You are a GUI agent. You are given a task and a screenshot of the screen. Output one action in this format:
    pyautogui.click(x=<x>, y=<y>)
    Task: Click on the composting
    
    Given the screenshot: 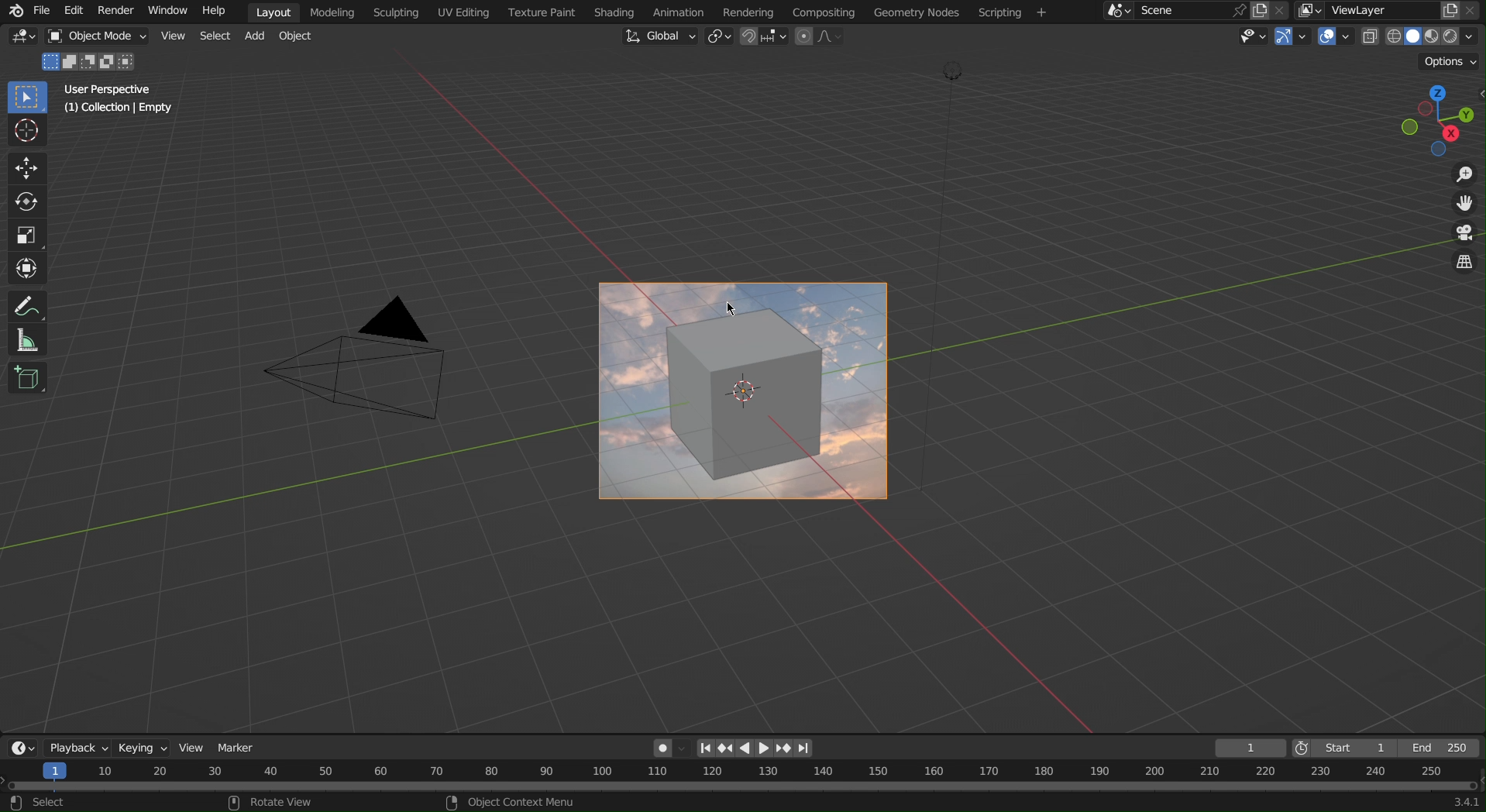 What is the action you would take?
    pyautogui.click(x=823, y=12)
    